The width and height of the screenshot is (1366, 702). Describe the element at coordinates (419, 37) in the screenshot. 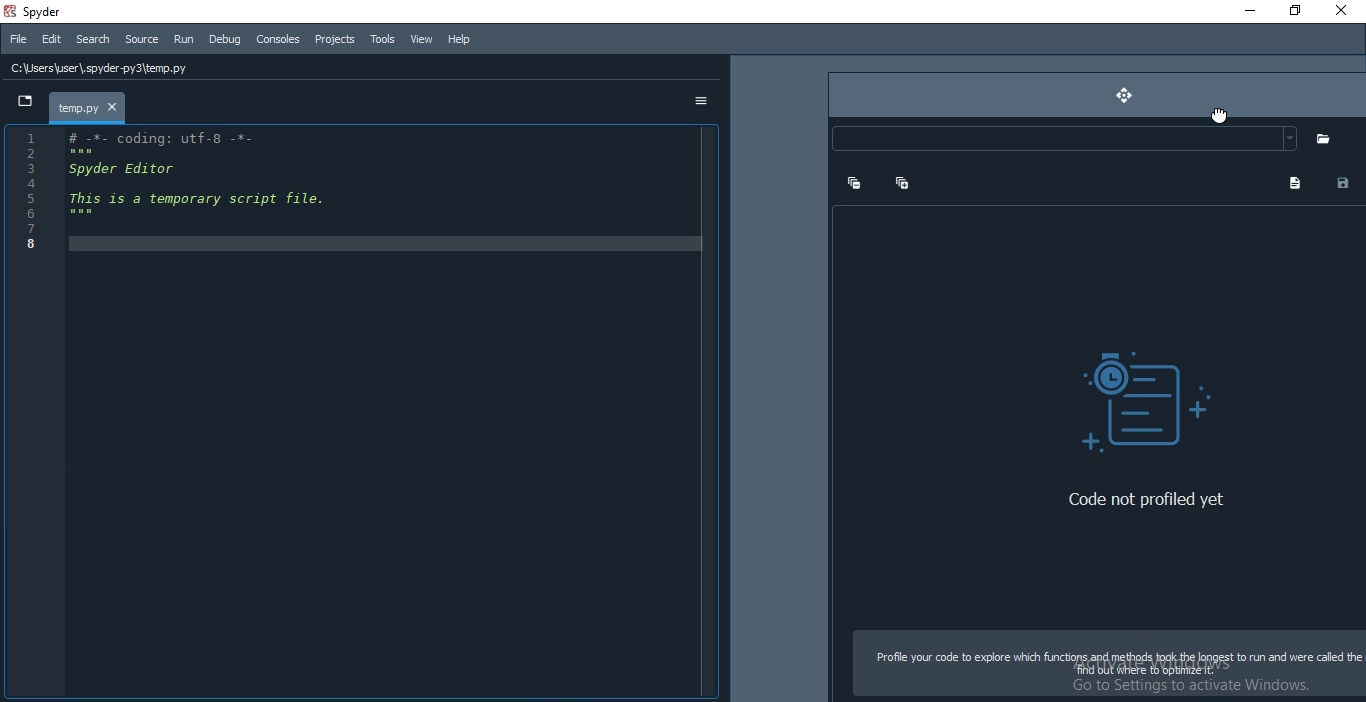

I see `View` at that location.